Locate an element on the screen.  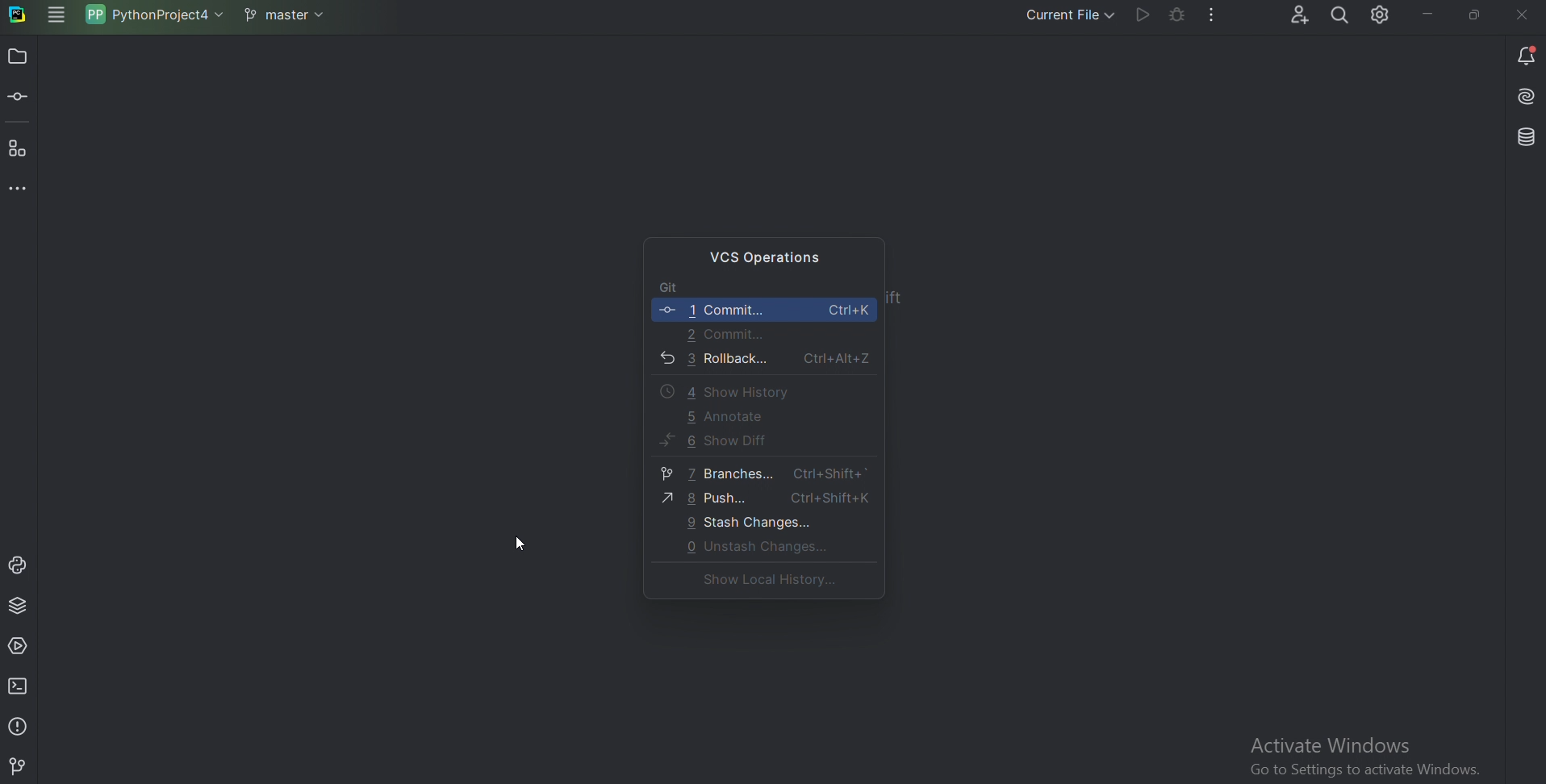
Minimize is located at coordinates (1423, 14).